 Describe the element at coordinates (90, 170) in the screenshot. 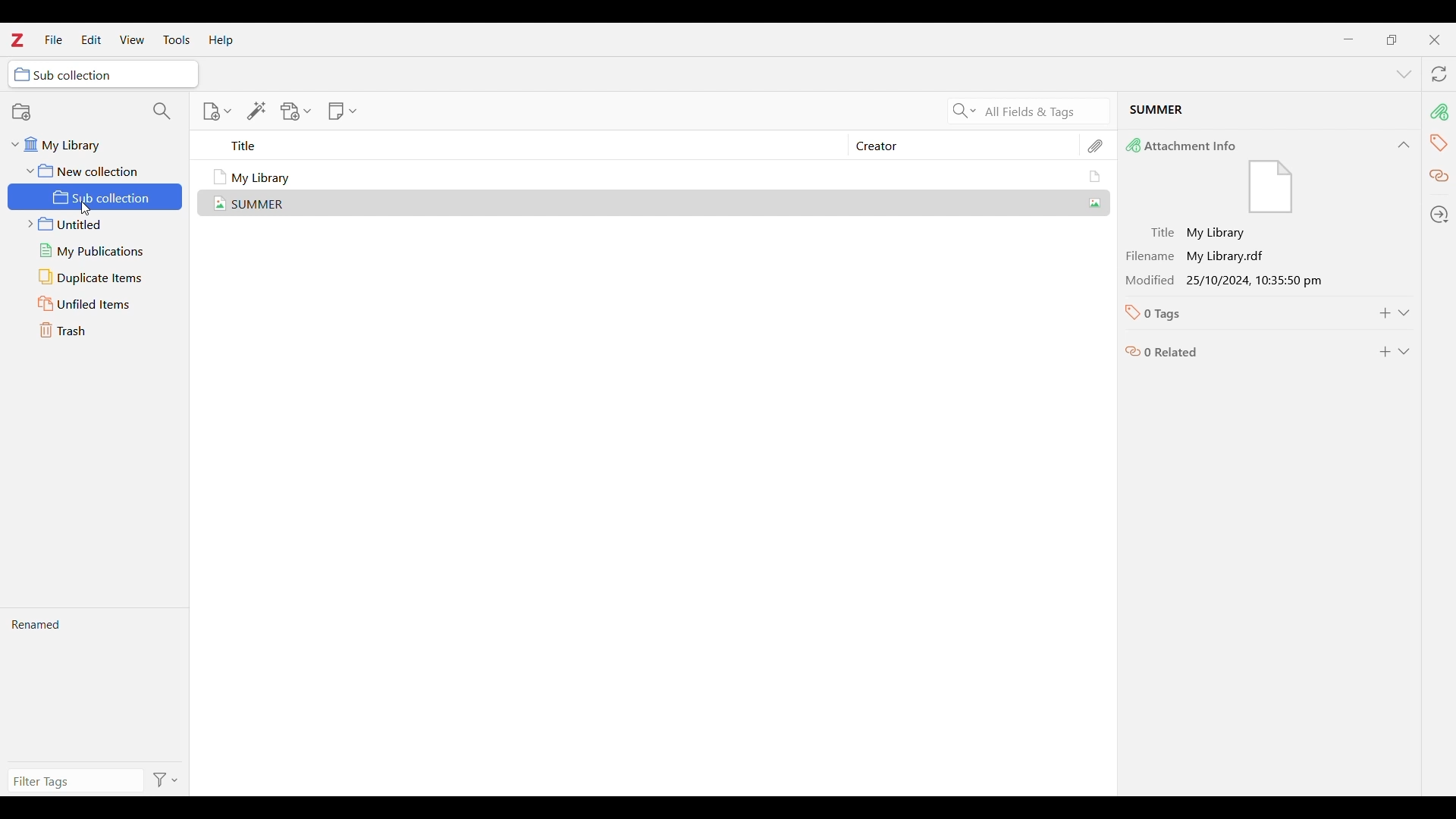

I see `New collection folder` at that location.